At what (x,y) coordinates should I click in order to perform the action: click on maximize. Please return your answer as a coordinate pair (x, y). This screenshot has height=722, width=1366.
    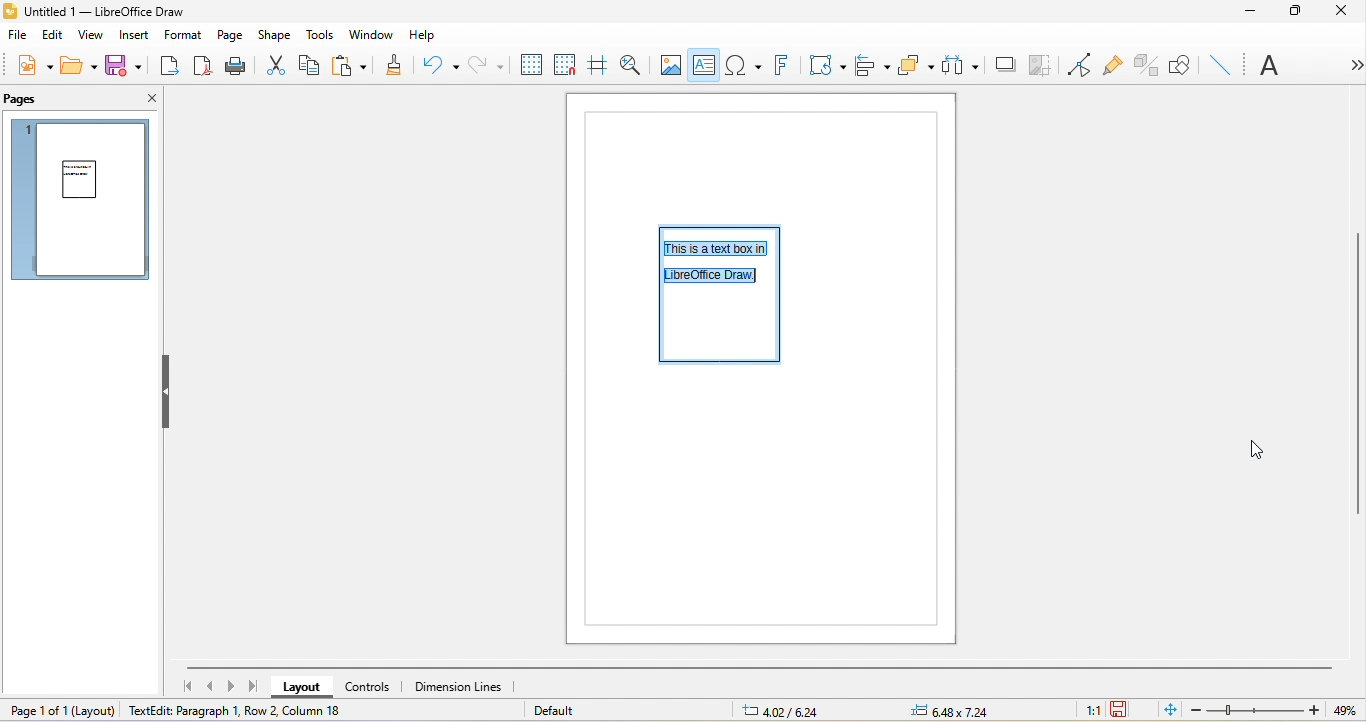
    Looking at the image, I should click on (1298, 12).